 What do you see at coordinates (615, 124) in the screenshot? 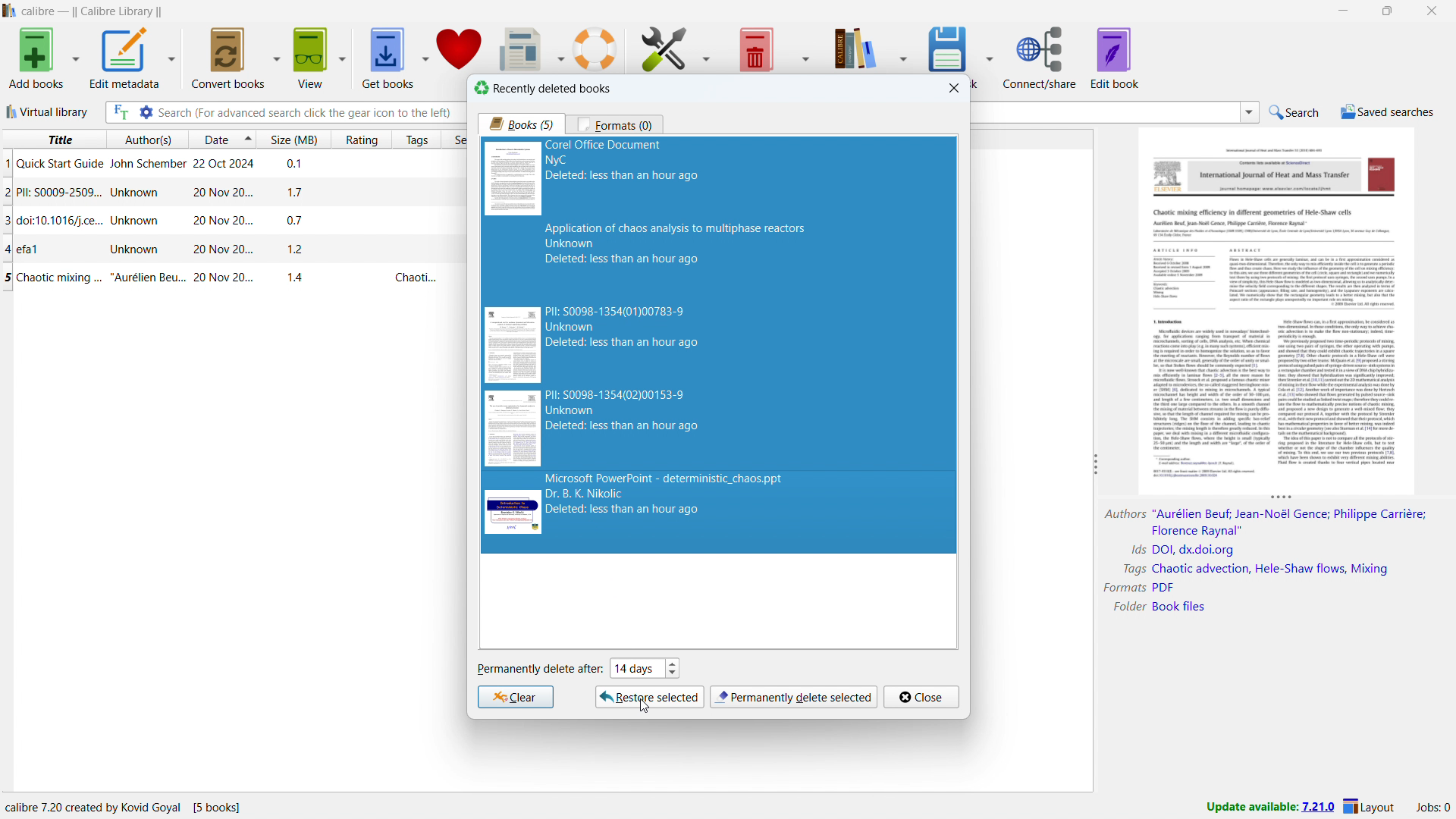
I see `formats` at bounding box center [615, 124].